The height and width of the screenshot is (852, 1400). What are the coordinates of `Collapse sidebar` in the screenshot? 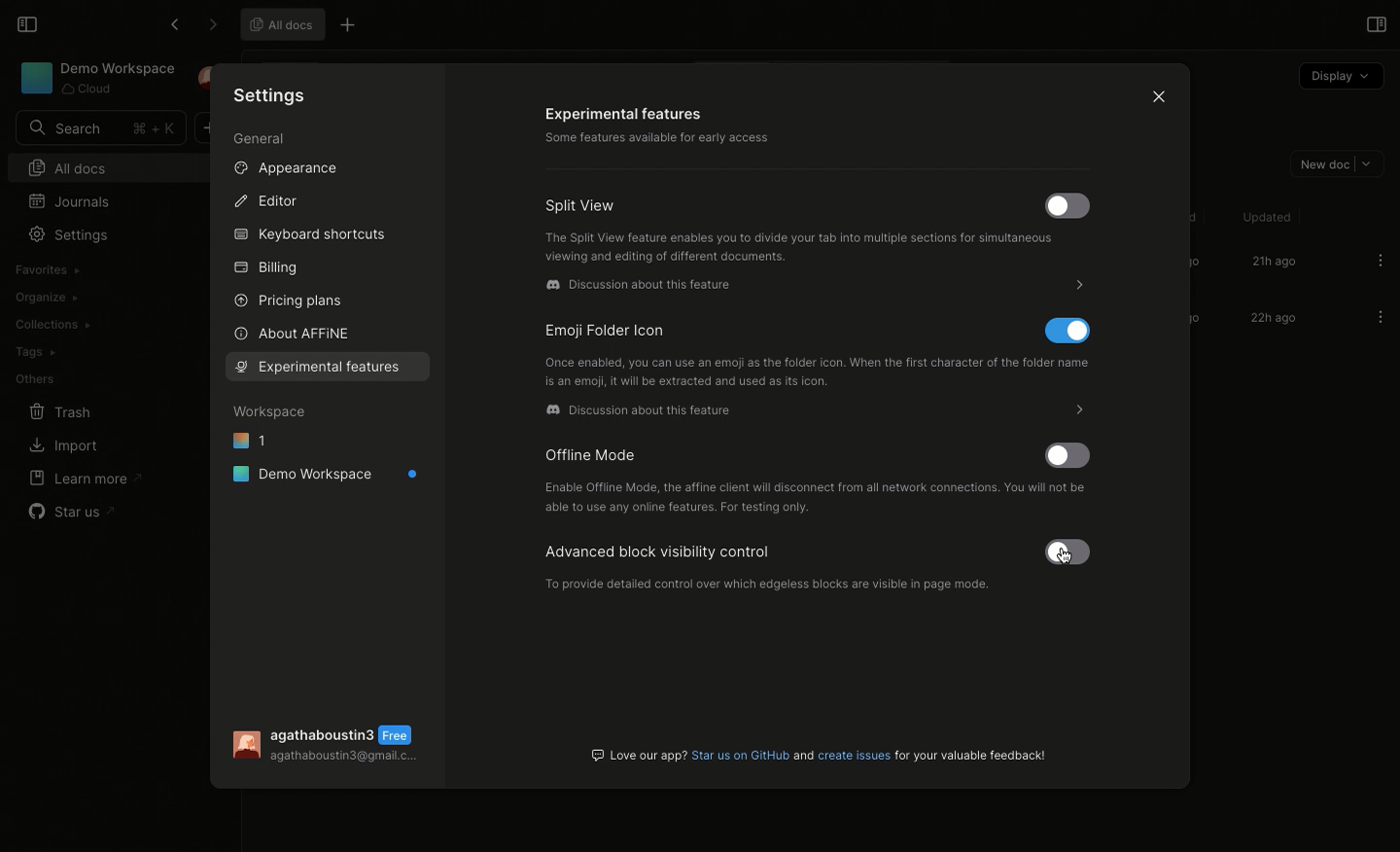 It's located at (25, 22).